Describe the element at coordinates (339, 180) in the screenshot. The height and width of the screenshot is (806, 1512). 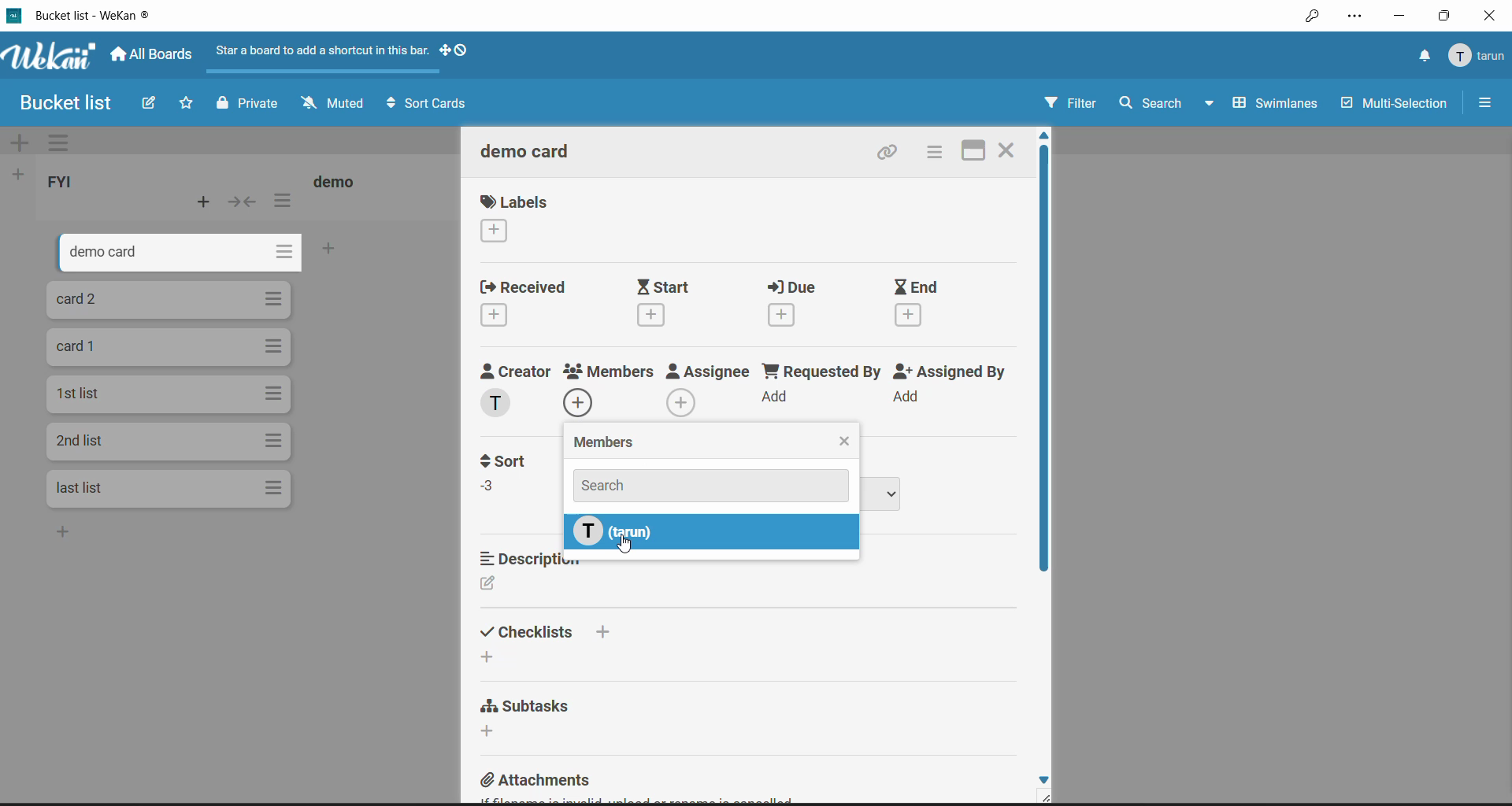
I see `list title` at that location.